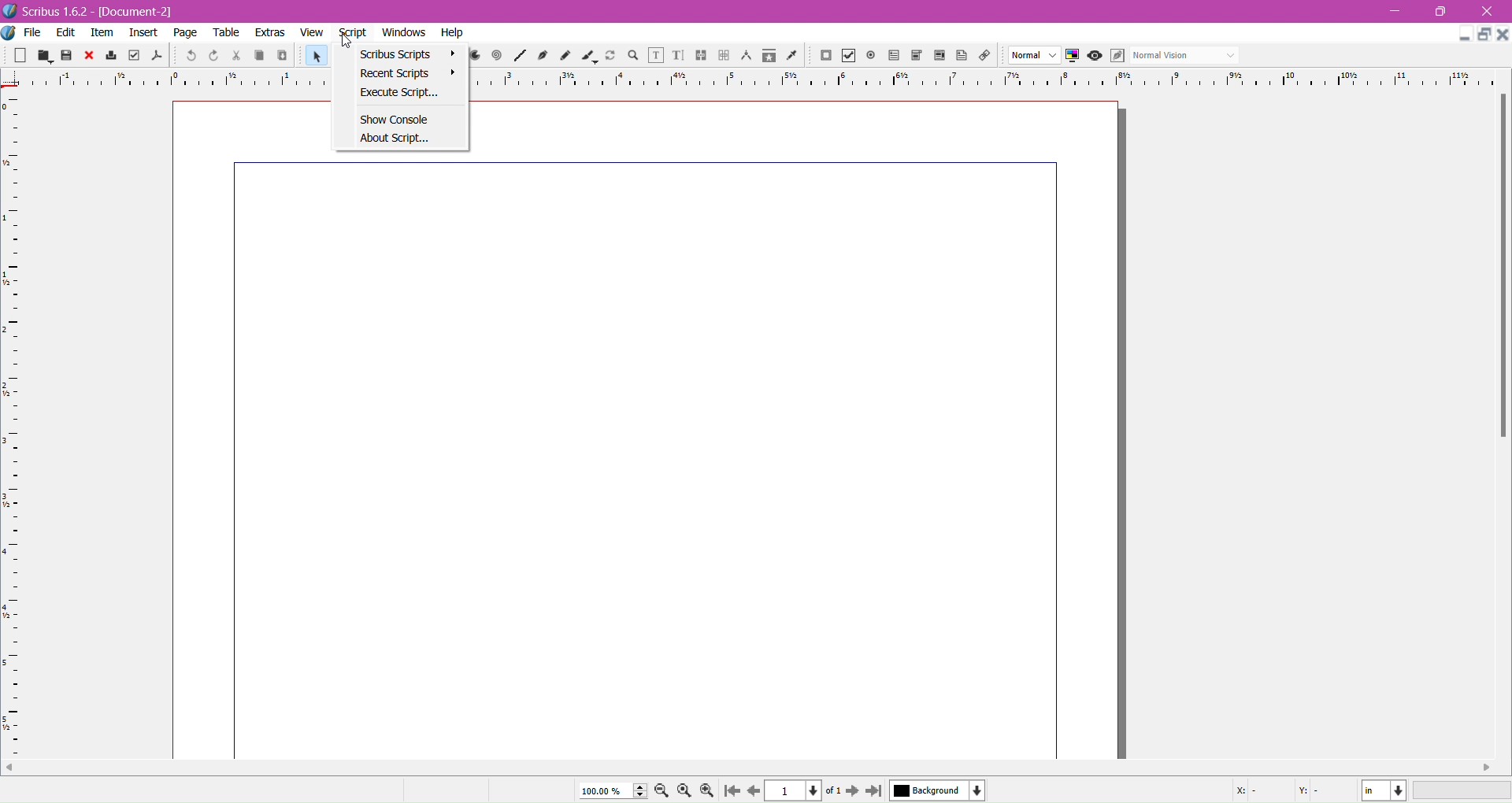 Image resolution: width=1512 pixels, height=803 pixels. What do you see at coordinates (402, 35) in the screenshot?
I see `Windows` at bounding box center [402, 35].